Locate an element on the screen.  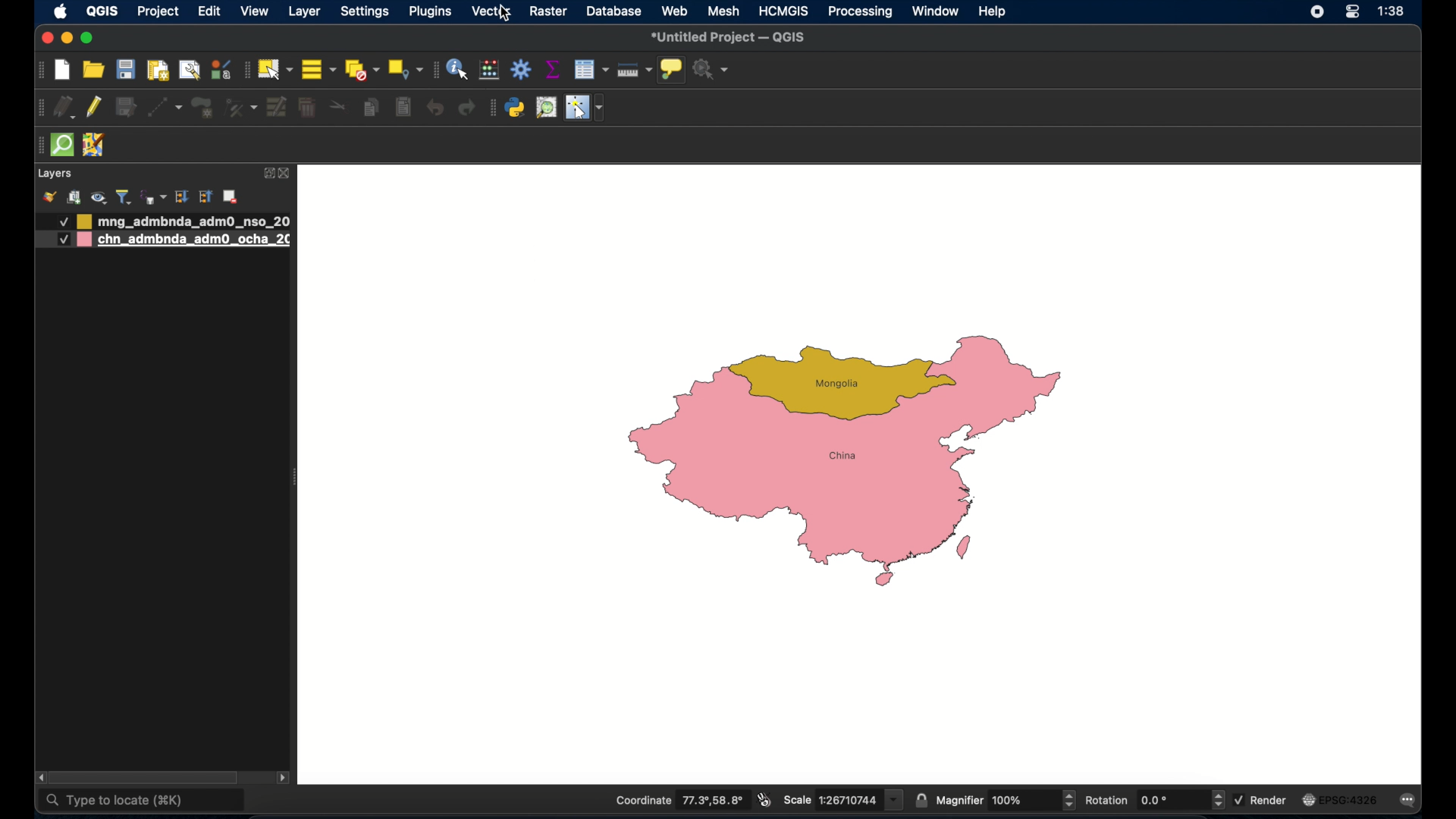
undo is located at coordinates (435, 108).